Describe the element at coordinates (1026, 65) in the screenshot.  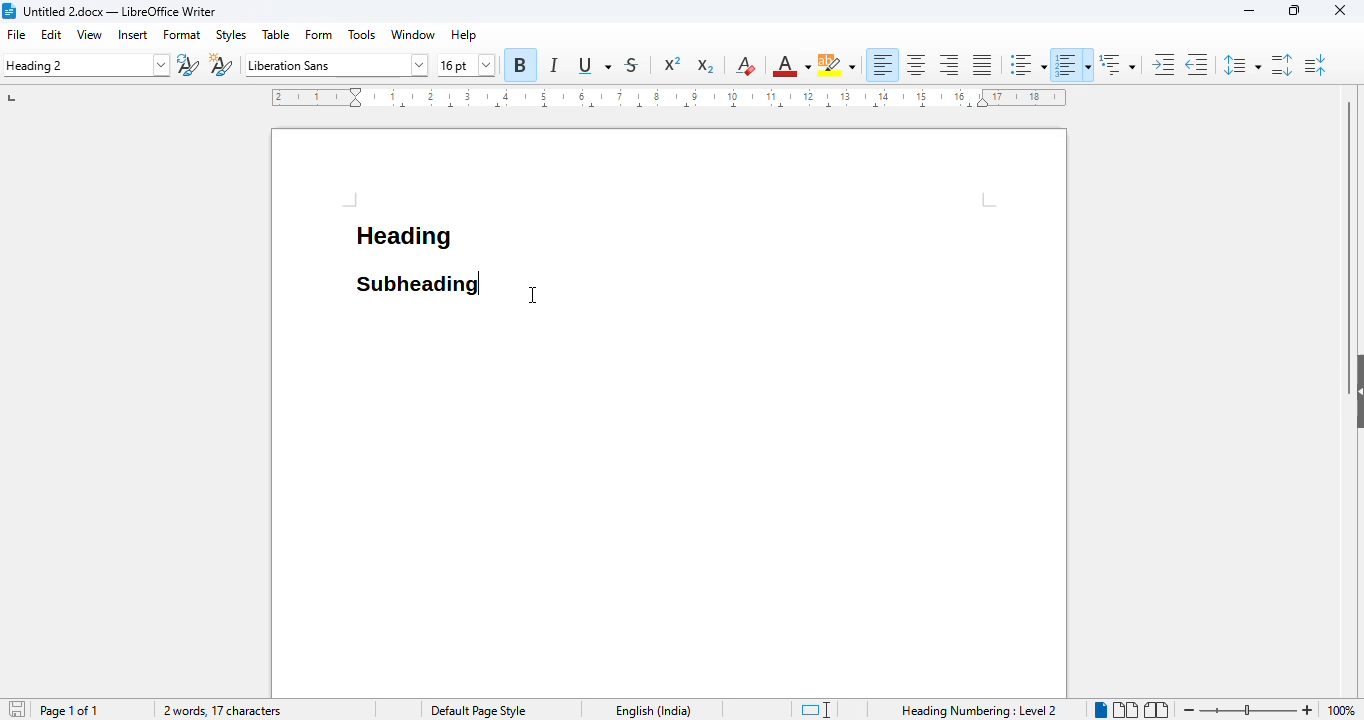
I see `toggle unordered list` at that location.